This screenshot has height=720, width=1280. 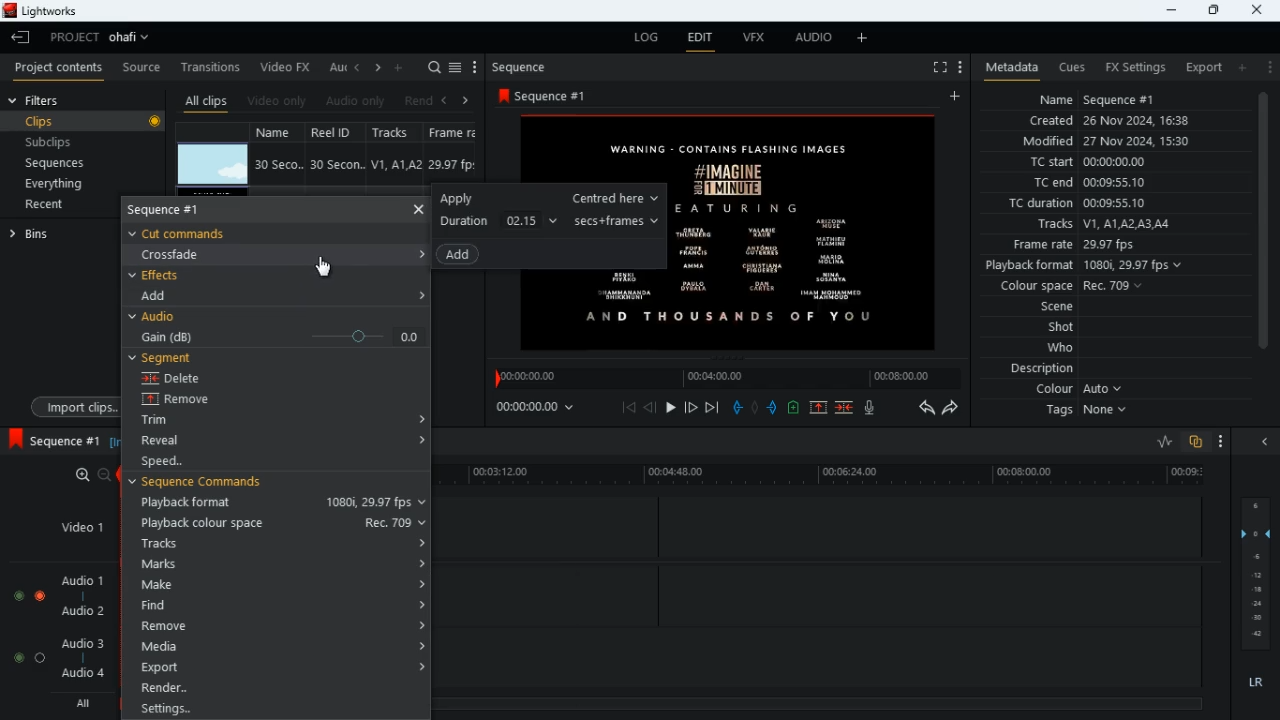 What do you see at coordinates (40, 593) in the screenshot?
I see `Toggle` at bounding box center [40, 593].